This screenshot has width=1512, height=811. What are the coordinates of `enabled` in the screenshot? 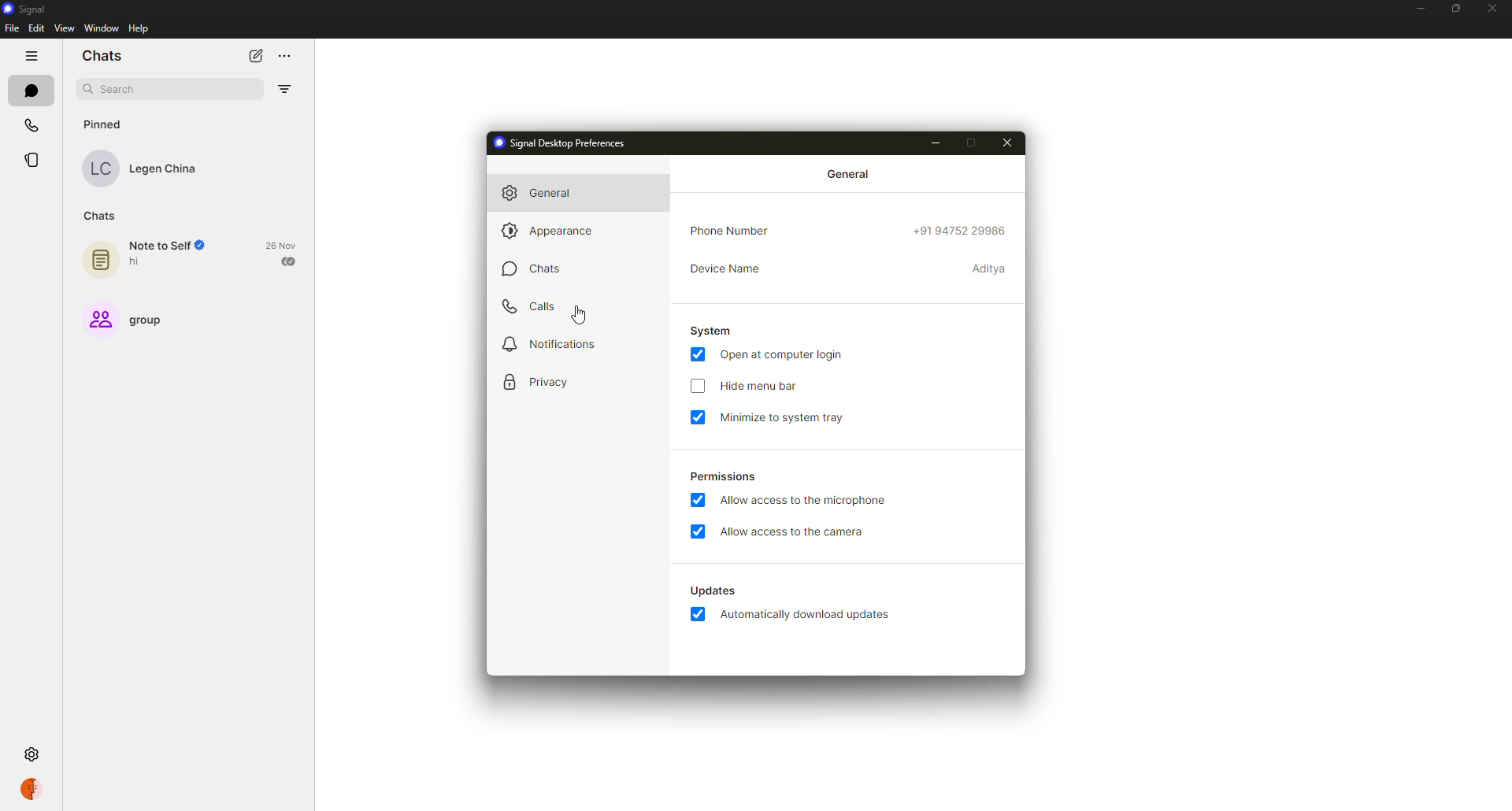 It's located at (696, 533).